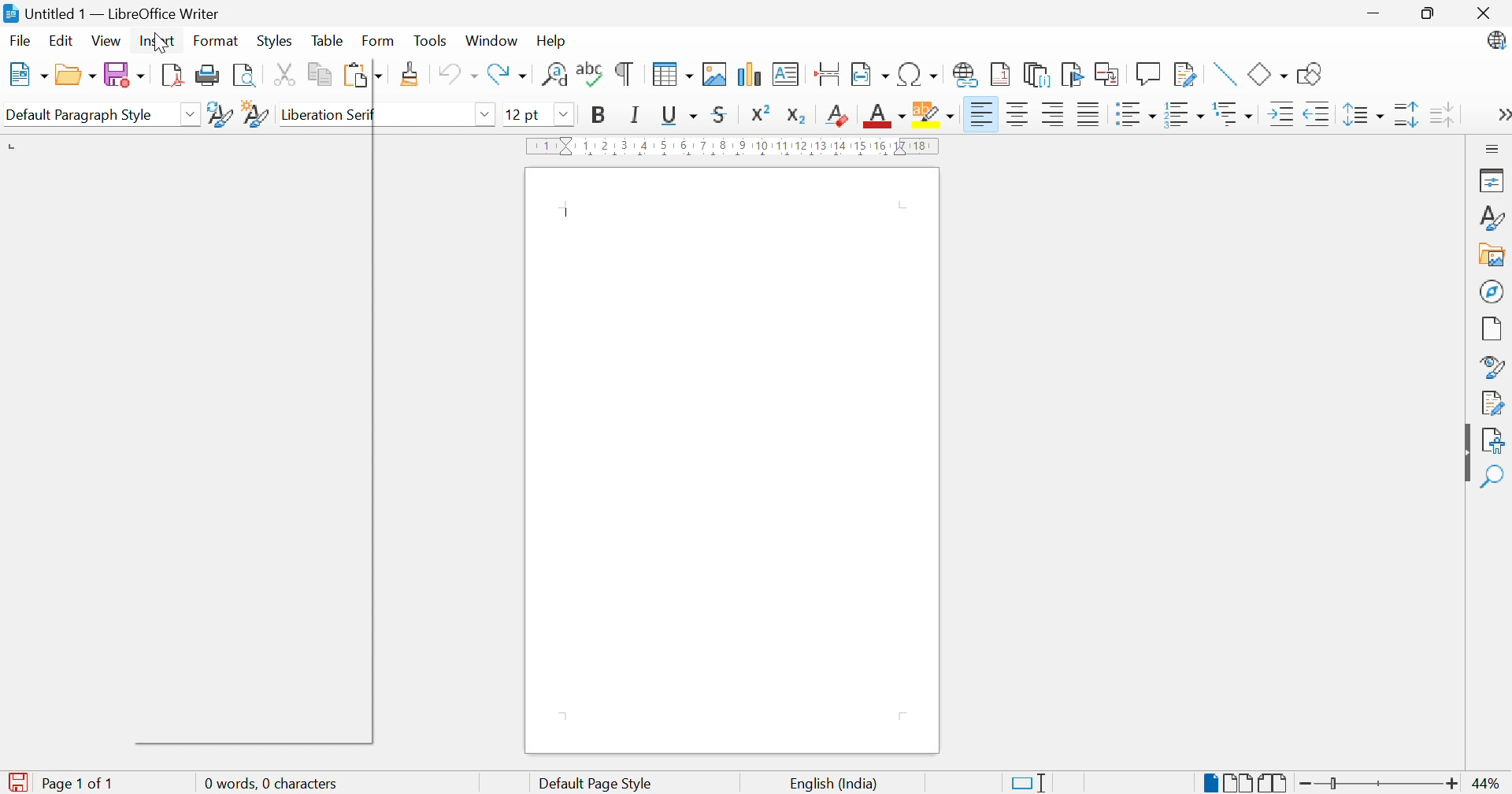 This screenshot has height=794, width=1512. Describe the element at coordinates (566, 115) in the screenshot. I see `Drop down` at that location.